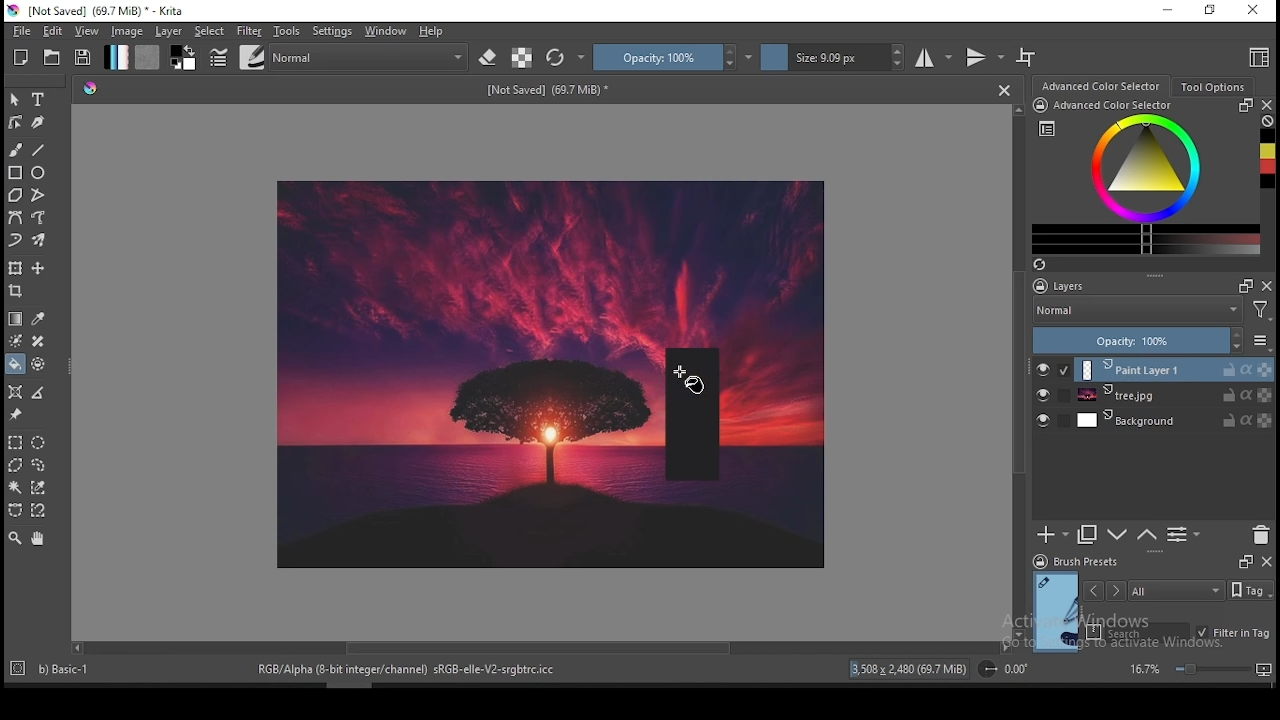  What do you see at coordinates (1243, 285) in the screenshot?
I see `Frame` at bounding box center [1243, 285].